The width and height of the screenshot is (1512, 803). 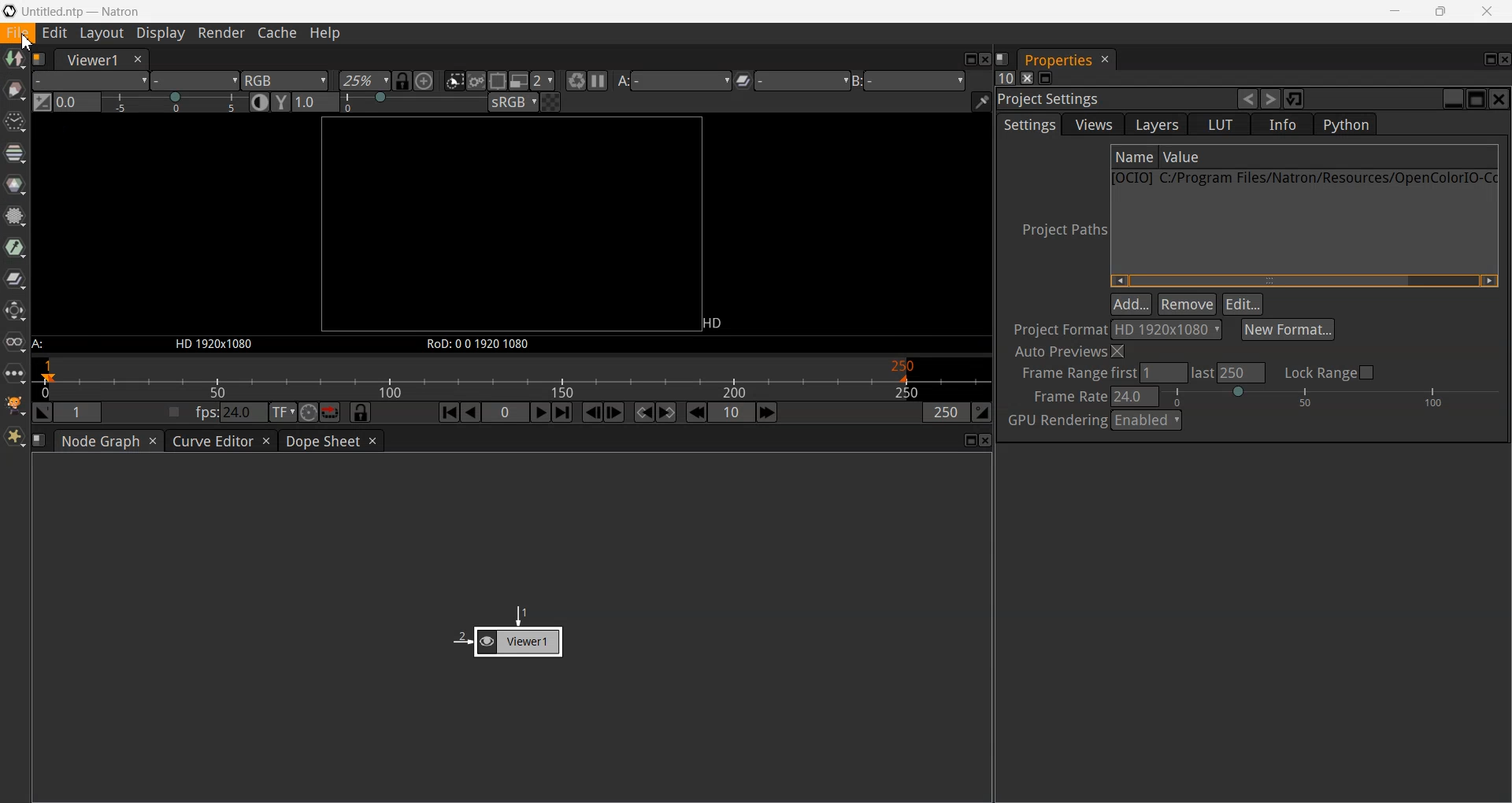 What do you see at coordinates (1263, 157) in the screenshot?
I see `Path value of file` at bounding box center [1263, 157].